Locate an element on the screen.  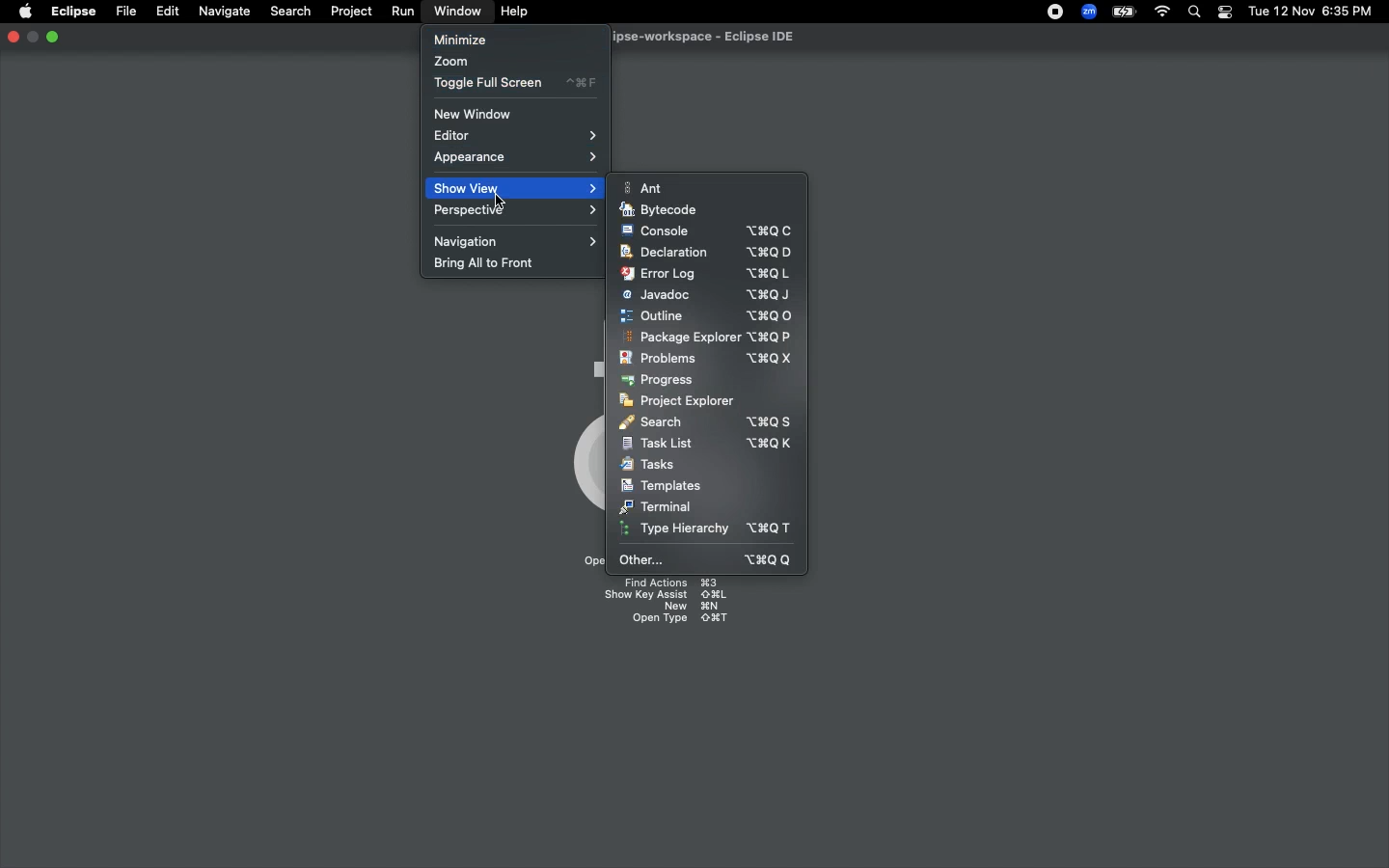
Eclipse is located at coordinates (72, 12).